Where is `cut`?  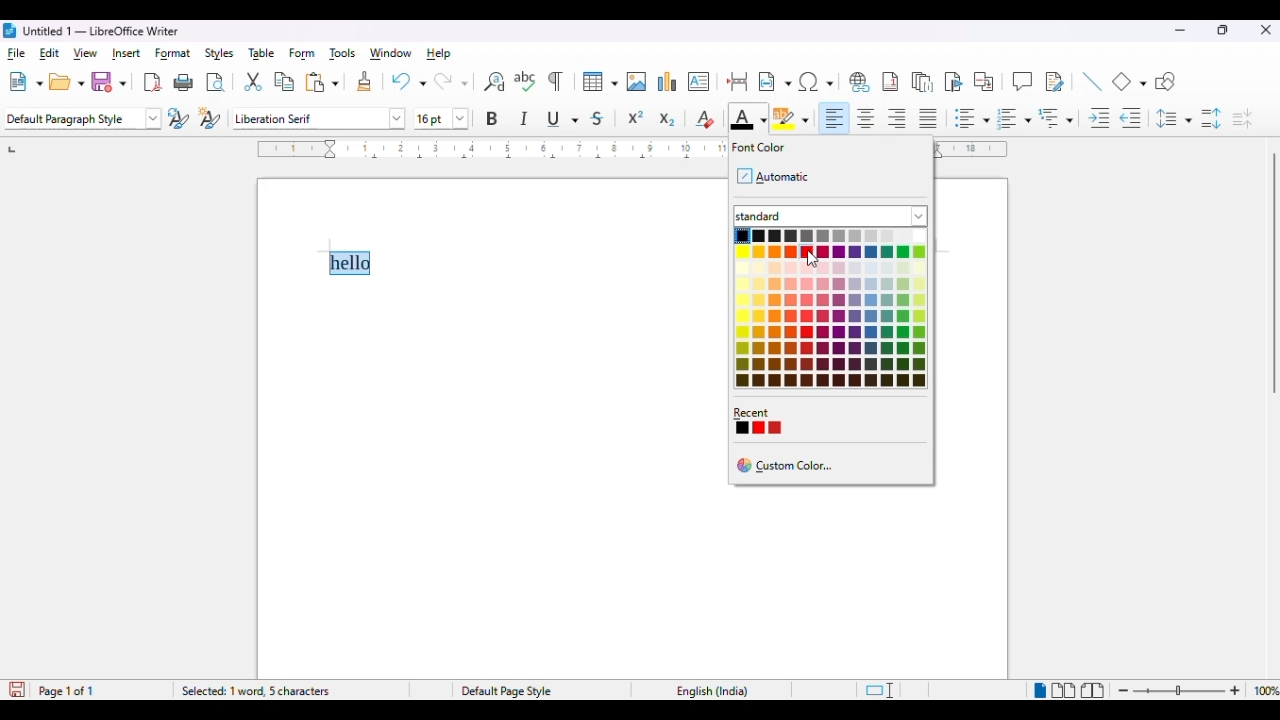 cut is located at coordinates (253, 82).